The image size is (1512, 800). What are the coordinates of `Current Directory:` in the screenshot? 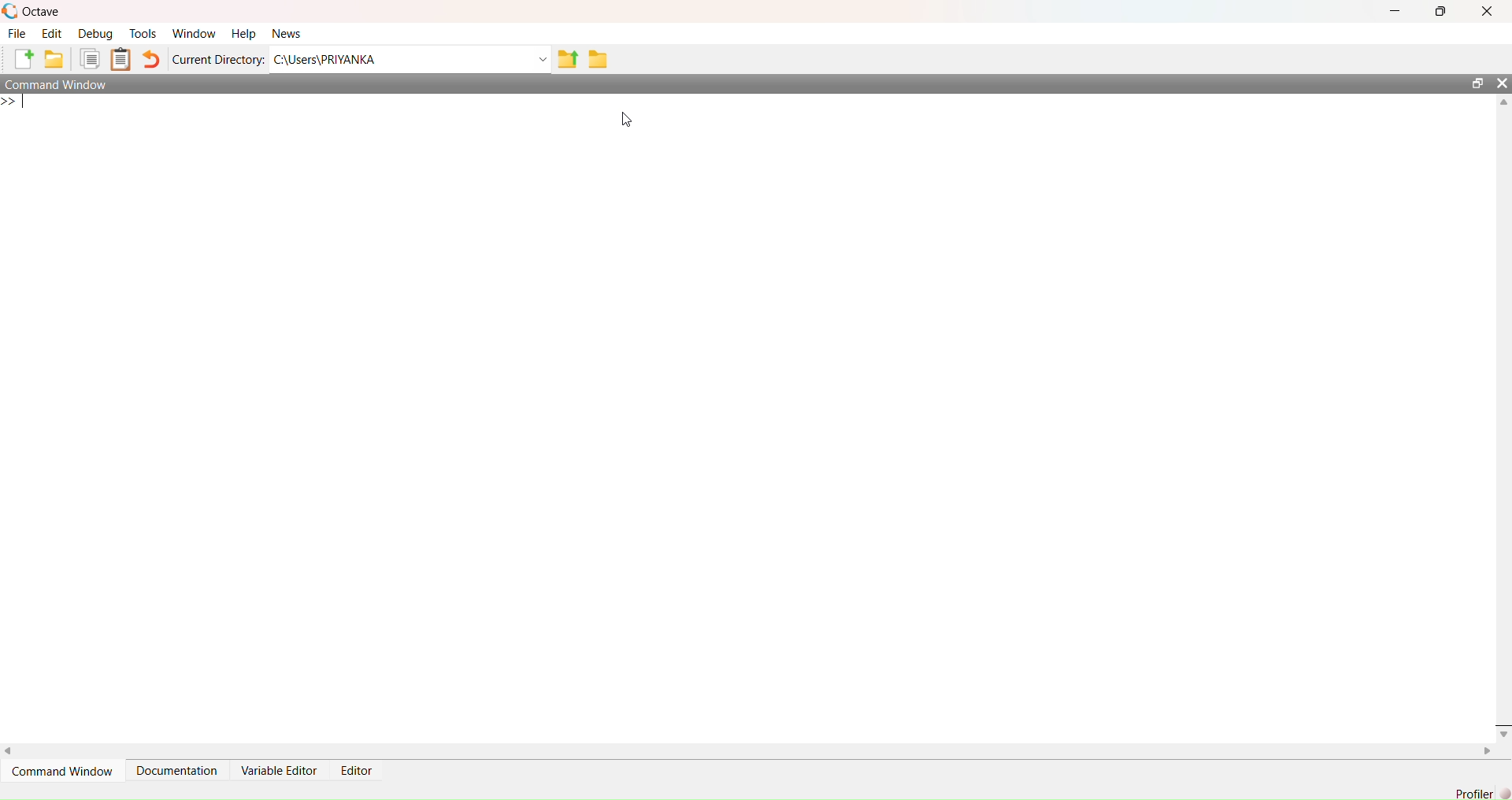 It's located at (217, 59).